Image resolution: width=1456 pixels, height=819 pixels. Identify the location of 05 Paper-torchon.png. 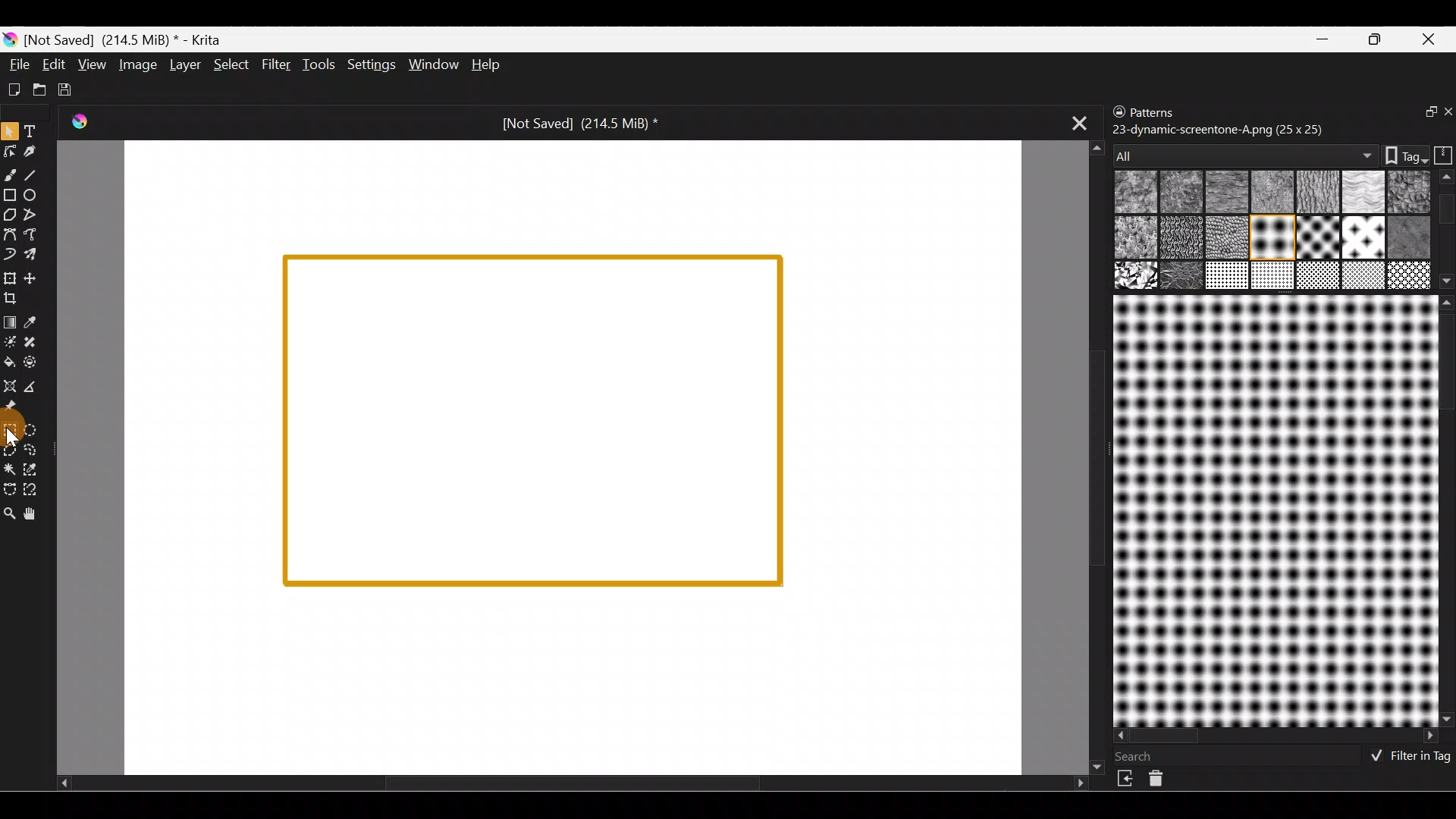
(1365, 193).